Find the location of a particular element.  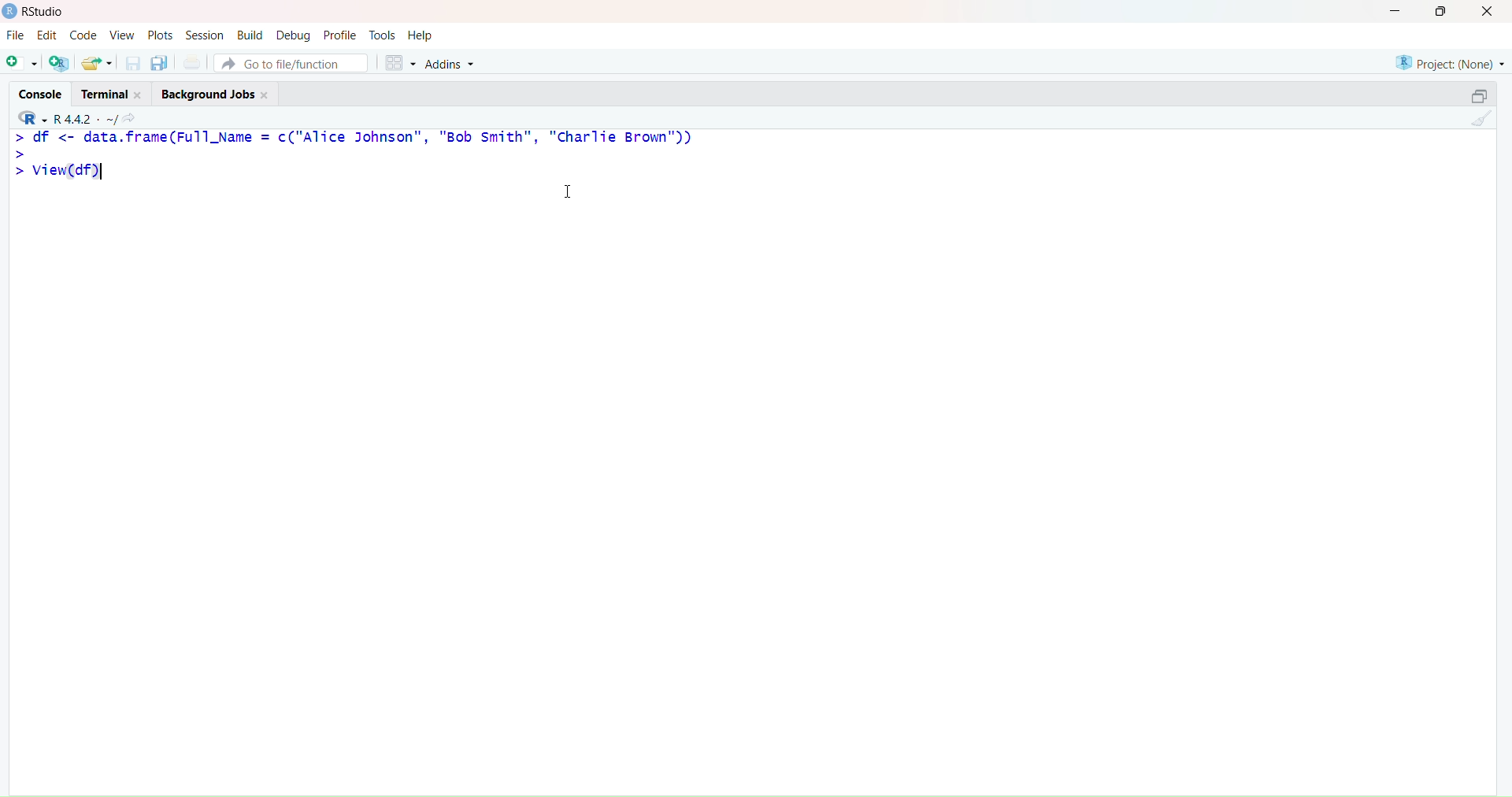

Print the current file is located at coordinates (191, 63).